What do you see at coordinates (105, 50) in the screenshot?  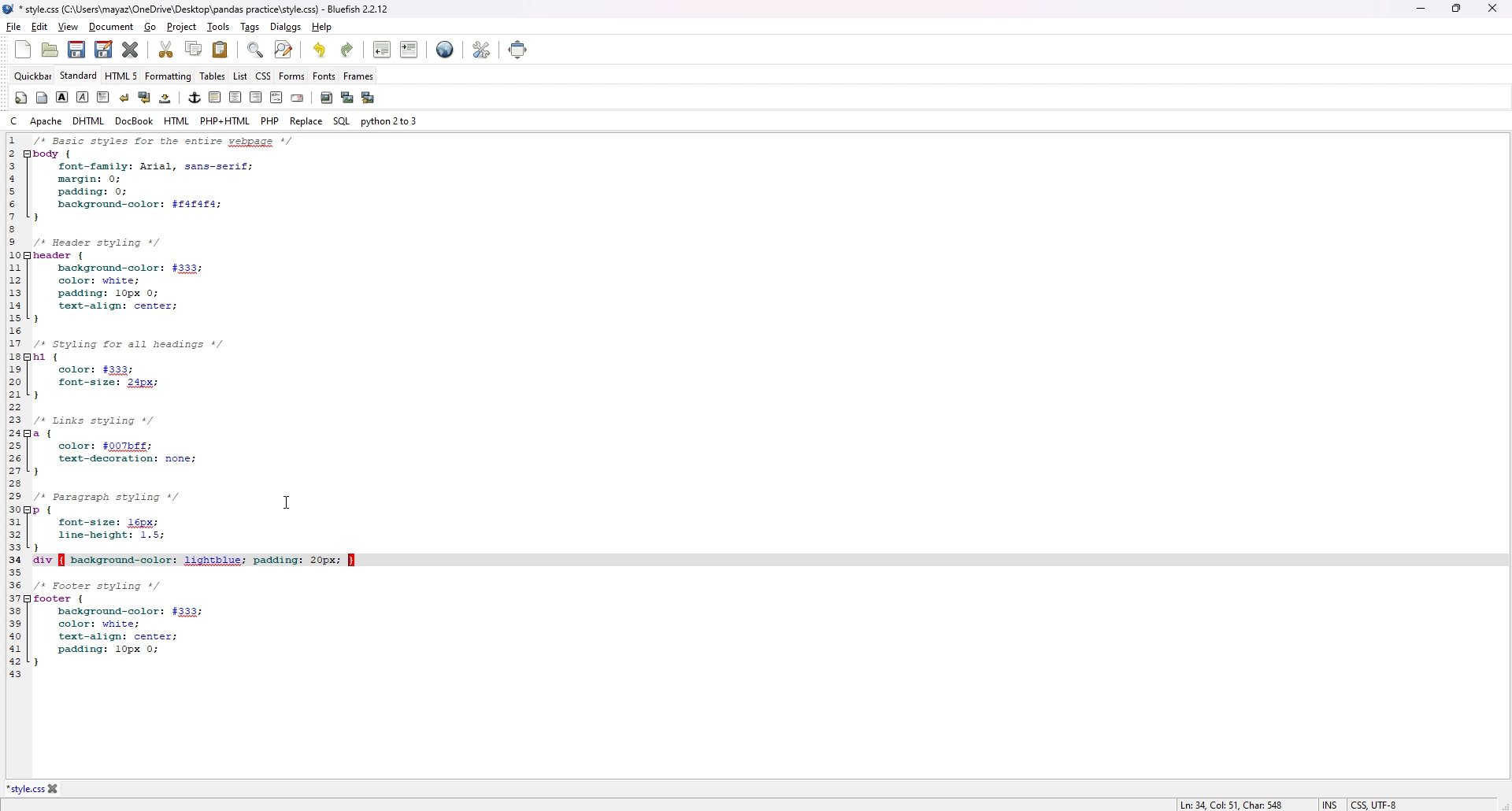 I see `save as` at bounding box center [105, 50].